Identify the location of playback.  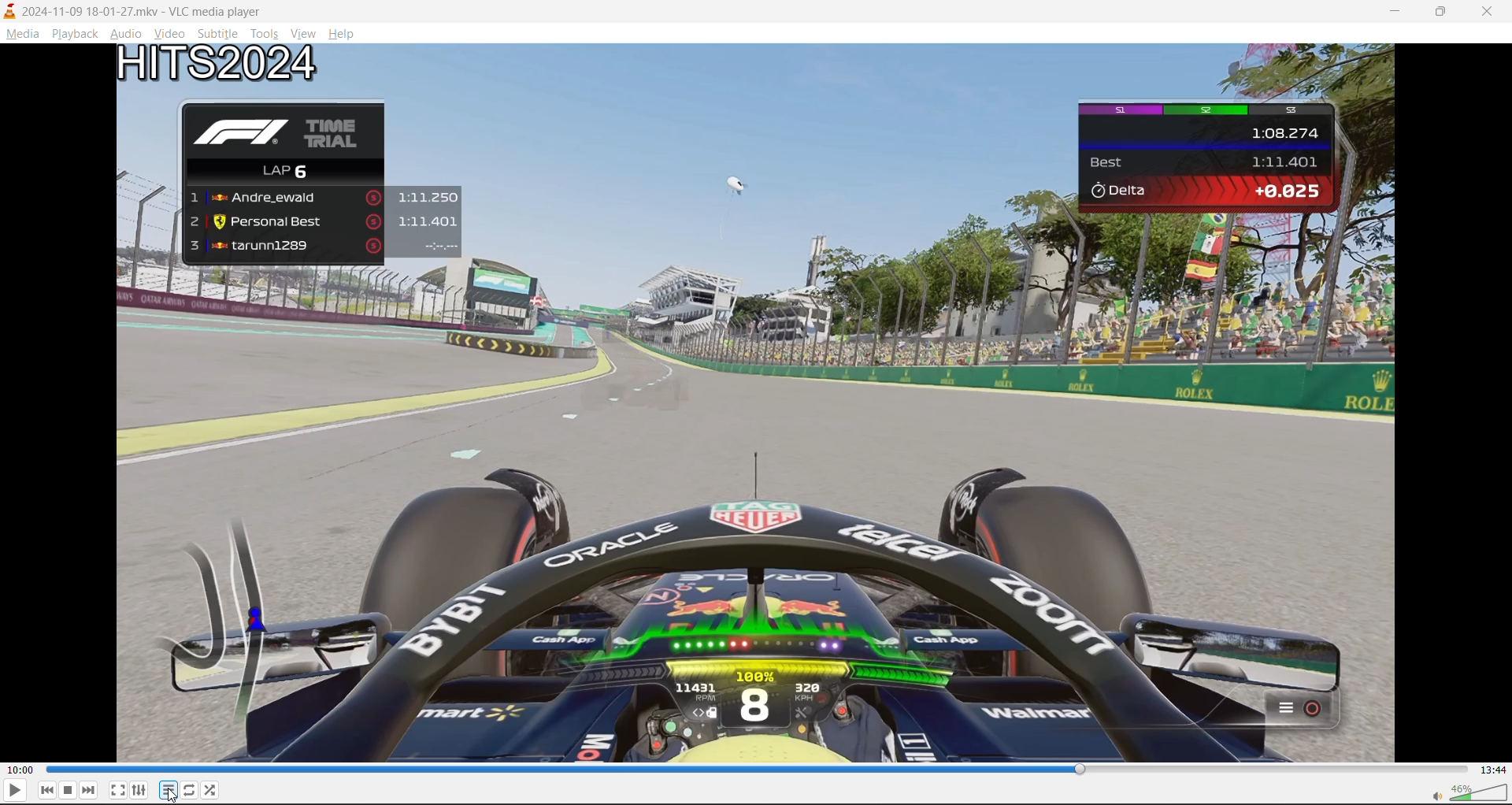
(74, 33).